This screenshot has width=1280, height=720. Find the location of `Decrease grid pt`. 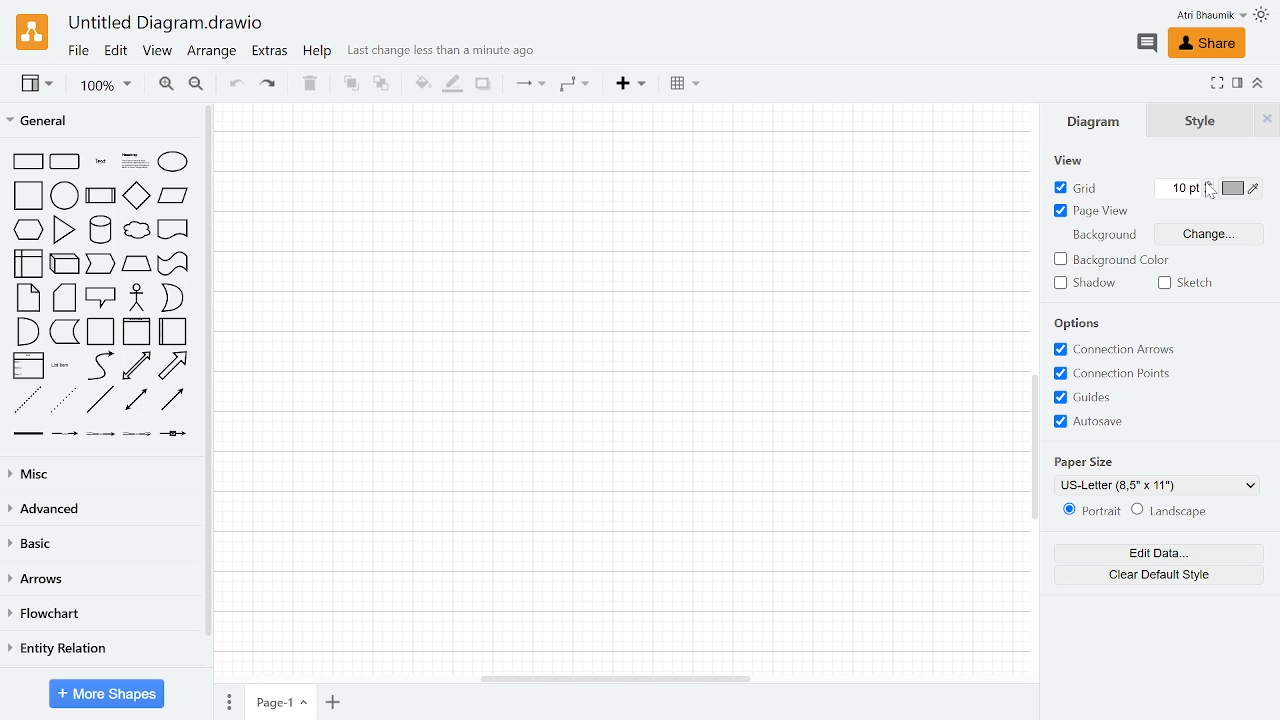

Decrease grid pt is located at coordinates (1213, 193).